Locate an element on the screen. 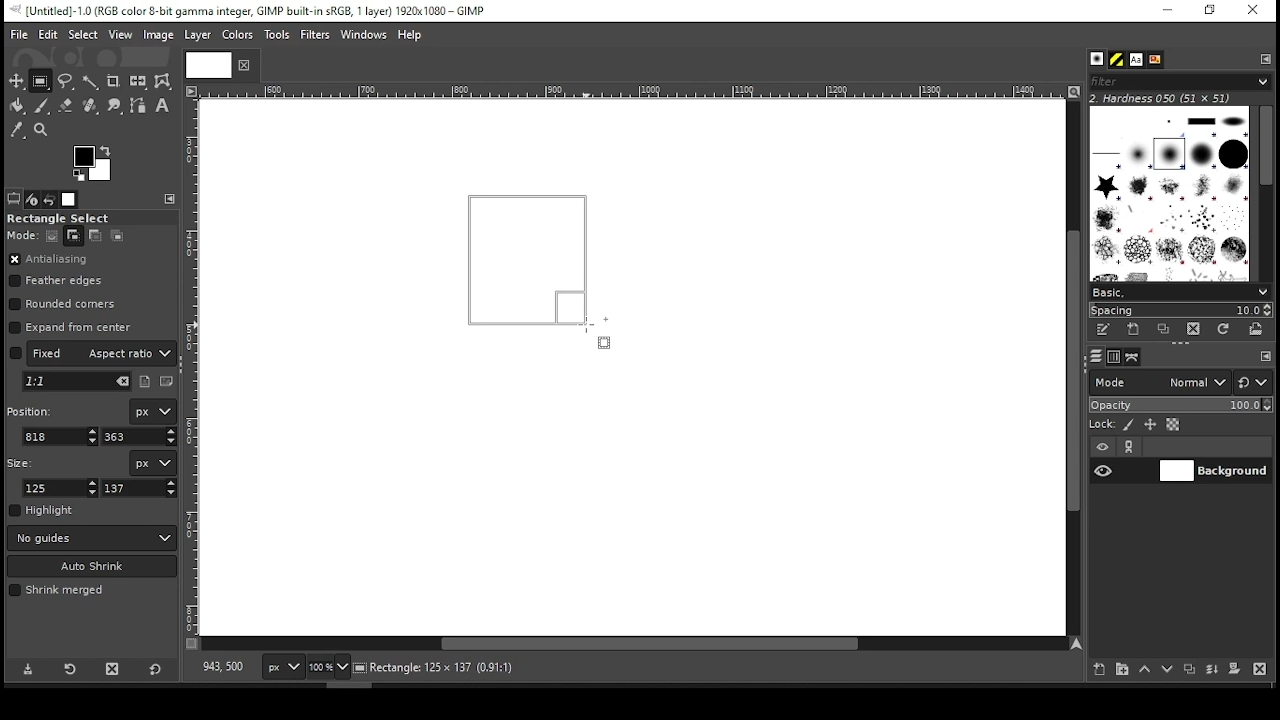  spacing is located at coordinates (1180, 310).